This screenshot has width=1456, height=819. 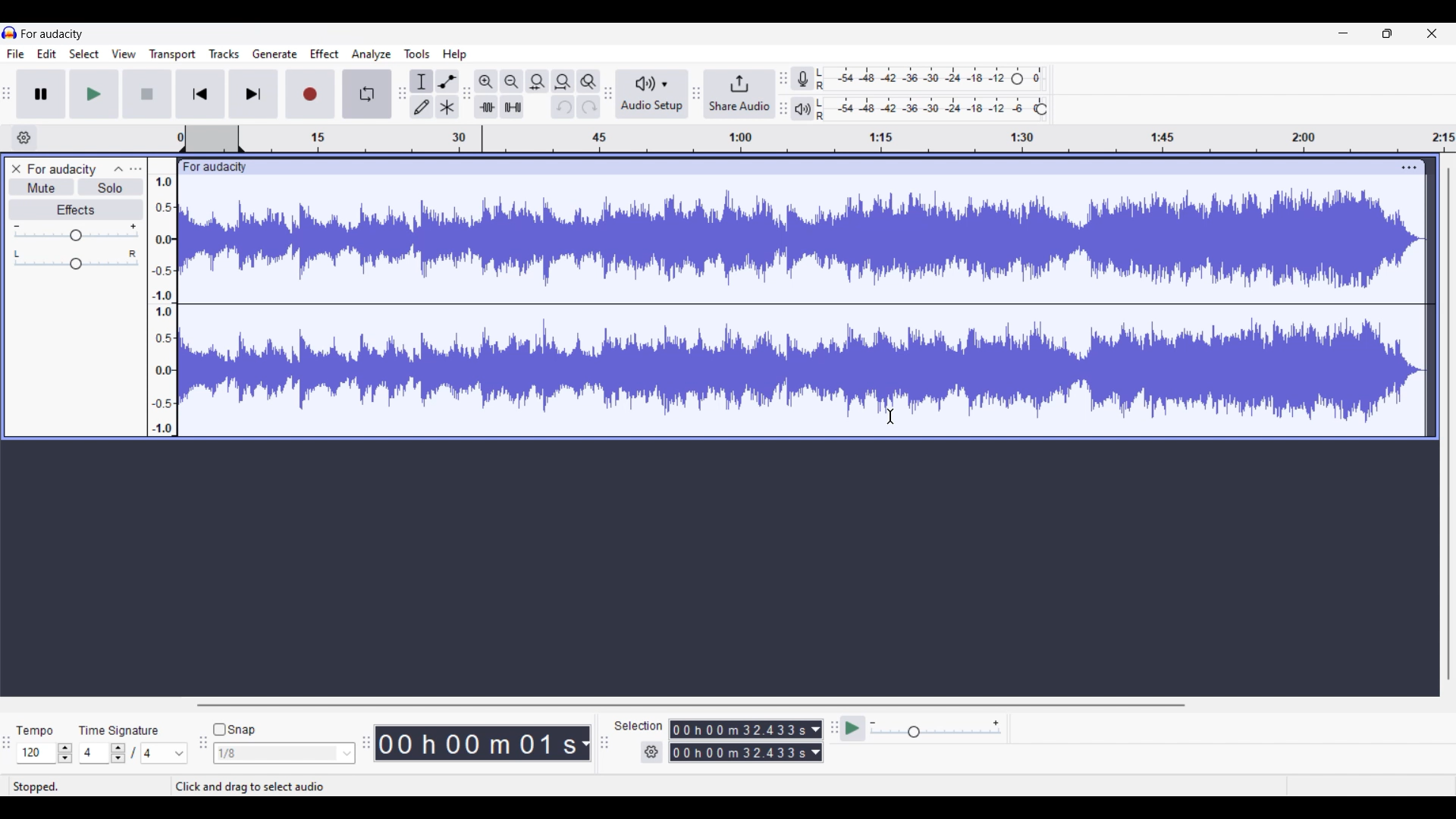 What do you see at coordinates (76, 260) in the screenshot?
I see `Pan scale` at bounding box center [76, 260].